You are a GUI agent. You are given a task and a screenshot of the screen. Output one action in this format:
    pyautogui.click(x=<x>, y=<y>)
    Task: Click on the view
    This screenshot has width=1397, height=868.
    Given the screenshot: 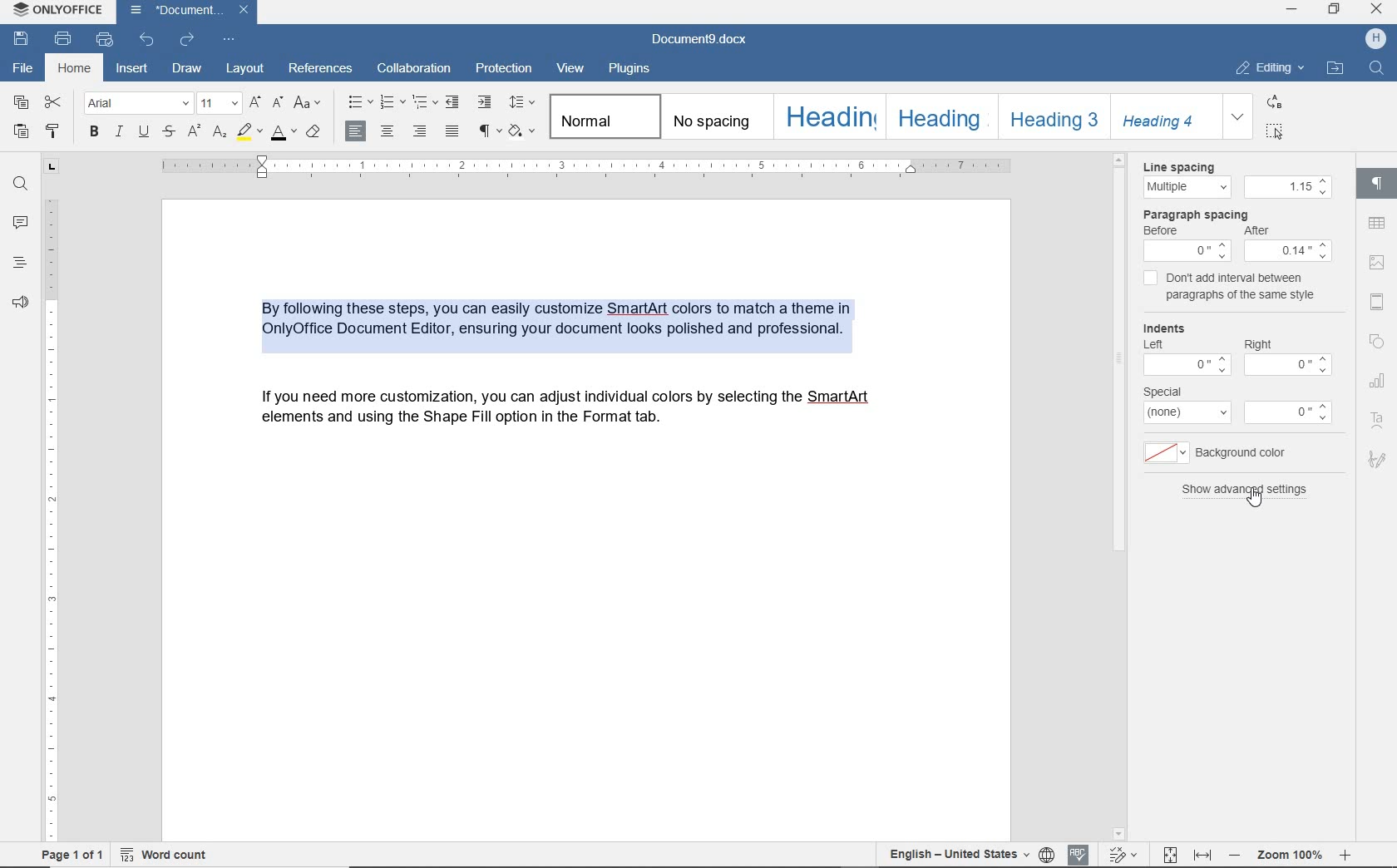 What is the action you would take?
    pyautogui.click(x=572, y=69)
    